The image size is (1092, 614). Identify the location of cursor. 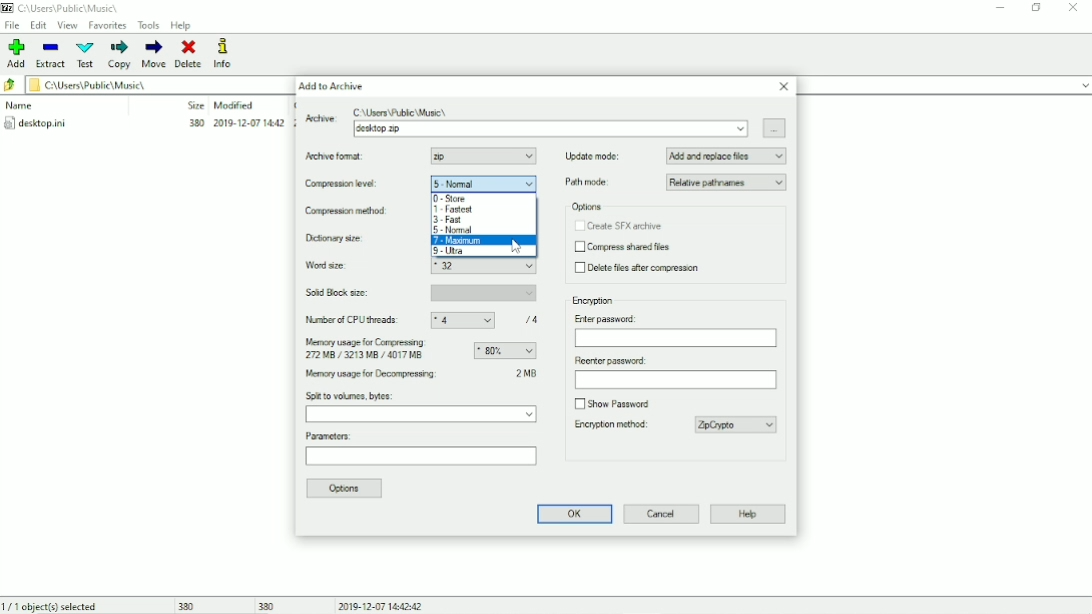
(531, 156).